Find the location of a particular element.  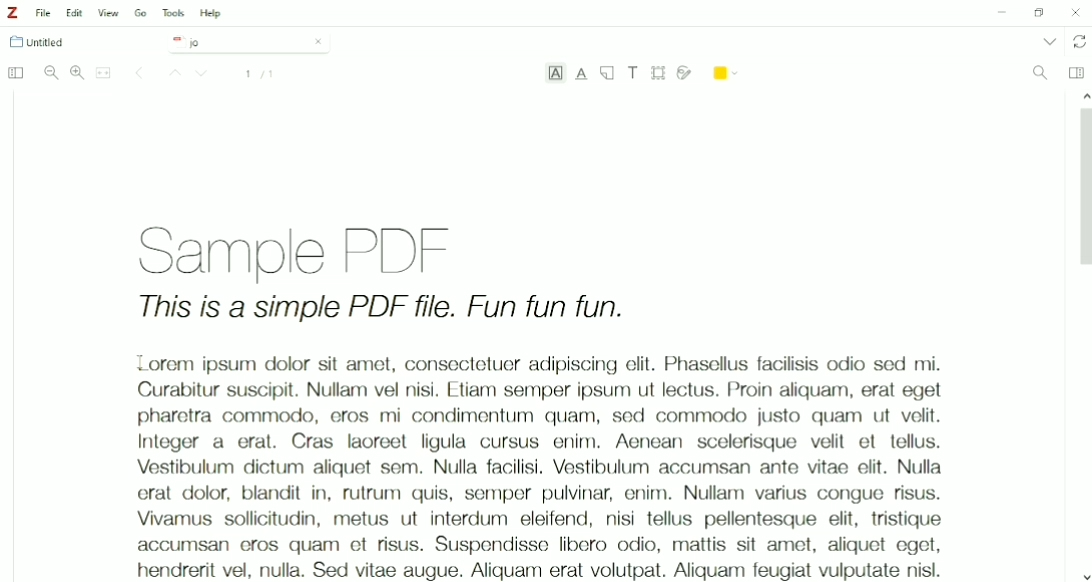

Toggle Context Pane is located at coordinates (1076, 72).